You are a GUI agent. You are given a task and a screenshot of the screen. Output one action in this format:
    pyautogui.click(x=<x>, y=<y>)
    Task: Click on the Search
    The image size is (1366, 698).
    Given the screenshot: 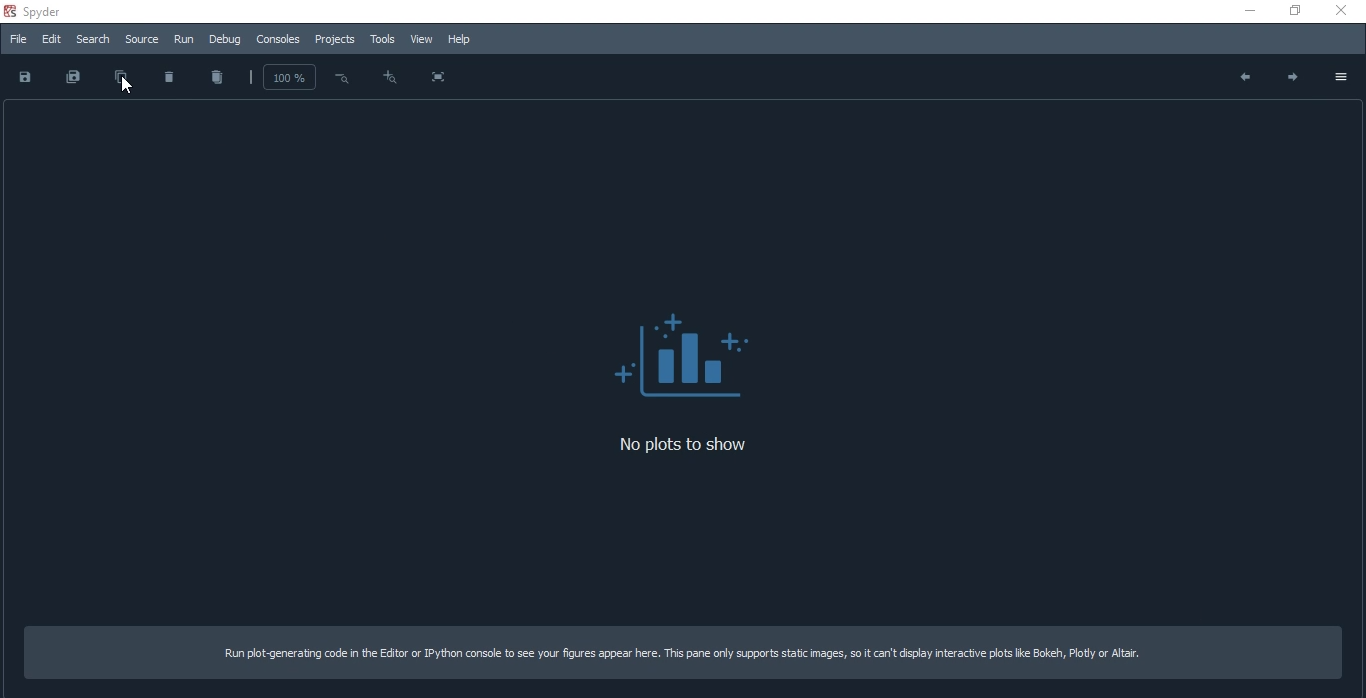 What is the action you would take?
    pyautogui.click(x=93, y=39)
    